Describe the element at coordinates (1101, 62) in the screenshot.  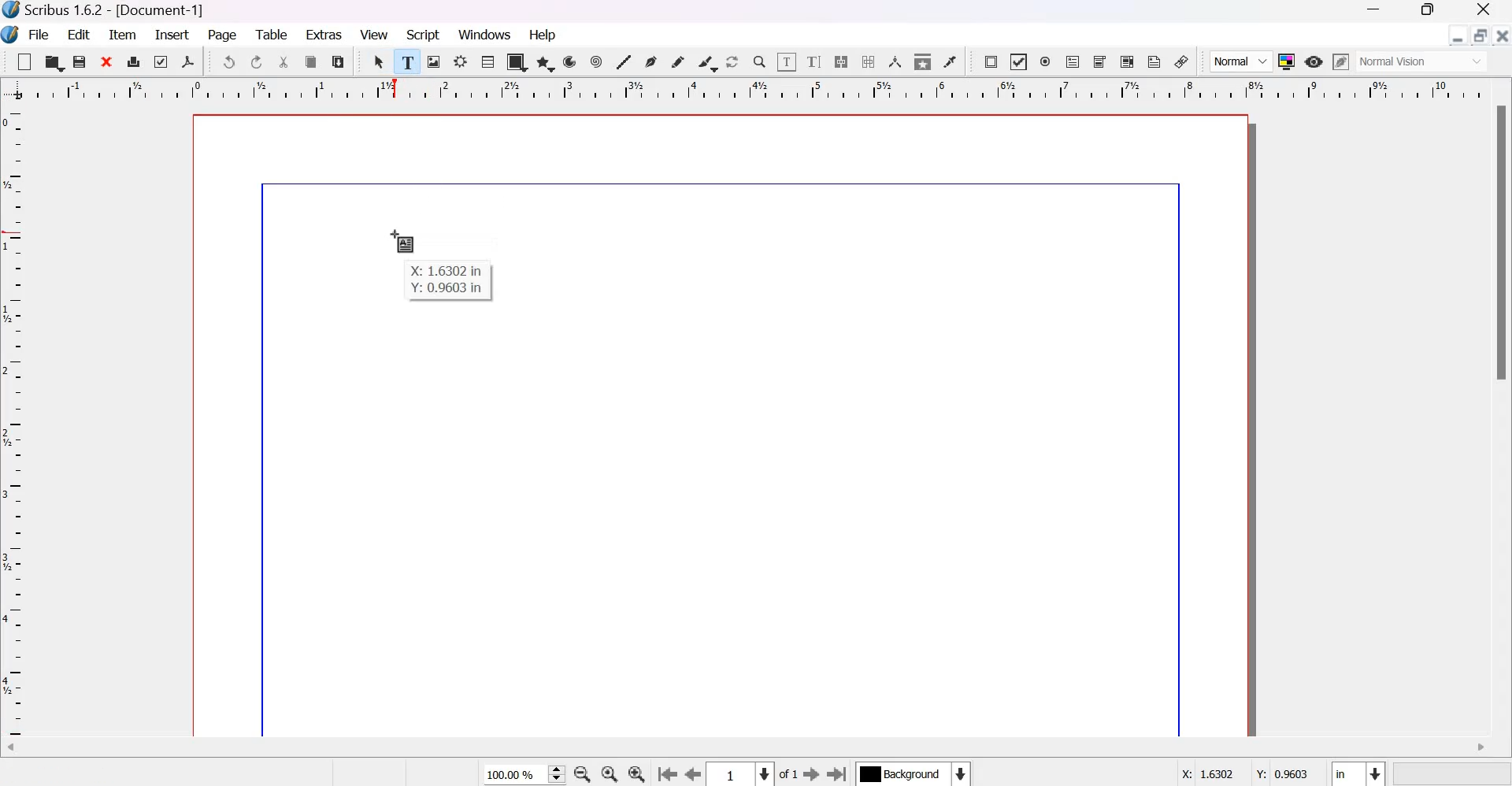
I see `PDF Combo Box` at that location.